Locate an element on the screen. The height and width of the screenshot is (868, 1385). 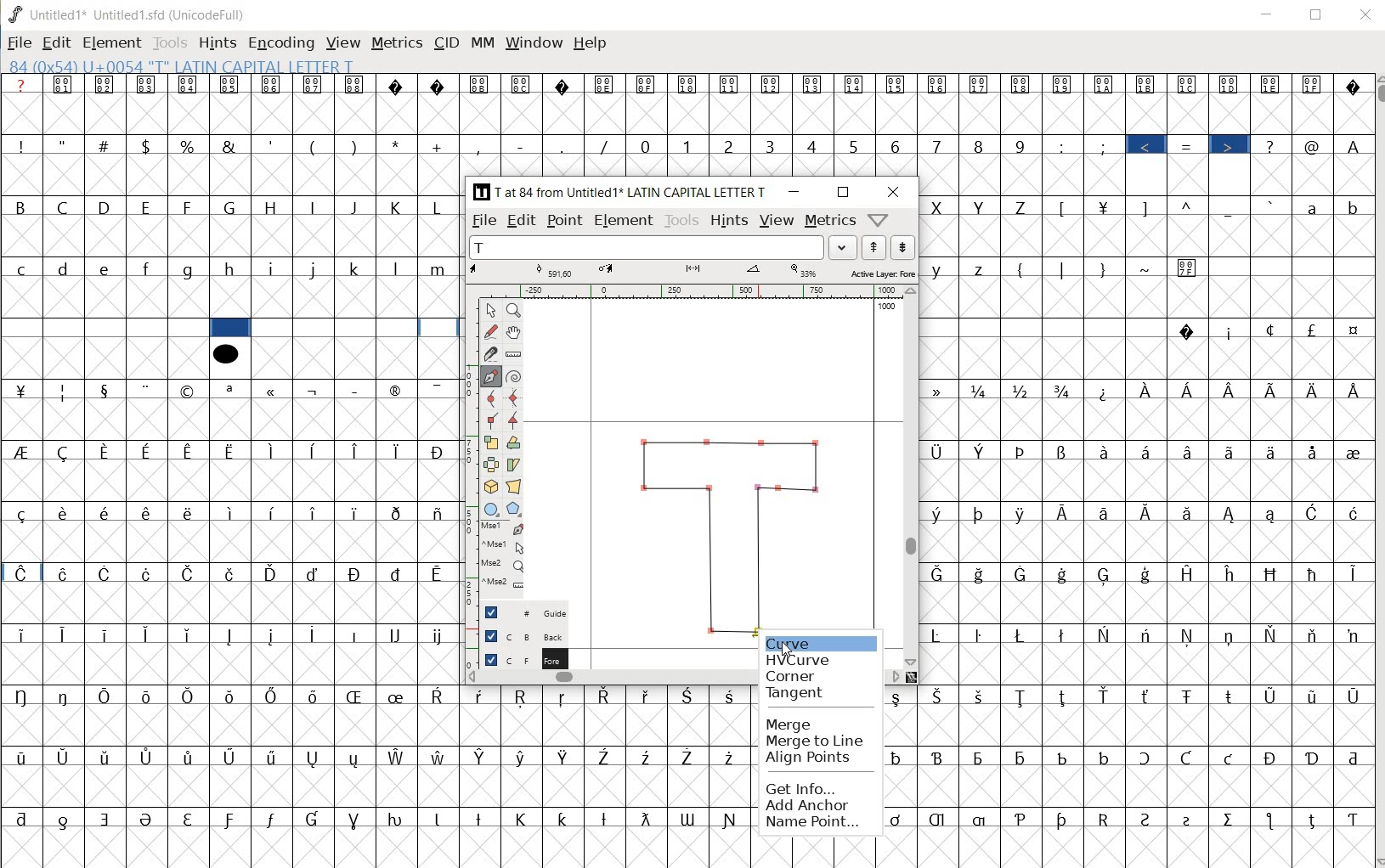
Symbol is located at coordinates (65, 695).